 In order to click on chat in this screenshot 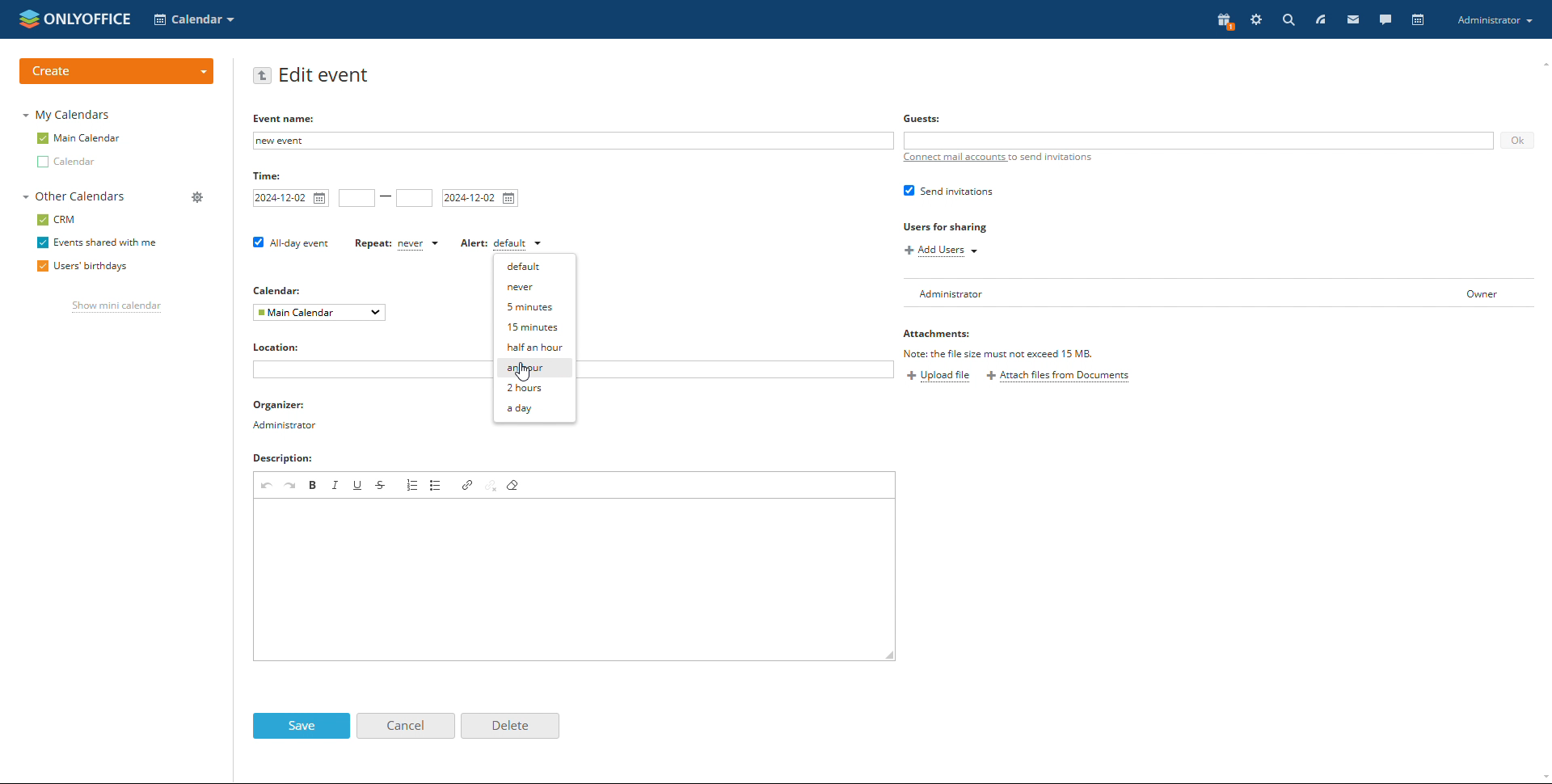, I will do `click(1385, 19)`.